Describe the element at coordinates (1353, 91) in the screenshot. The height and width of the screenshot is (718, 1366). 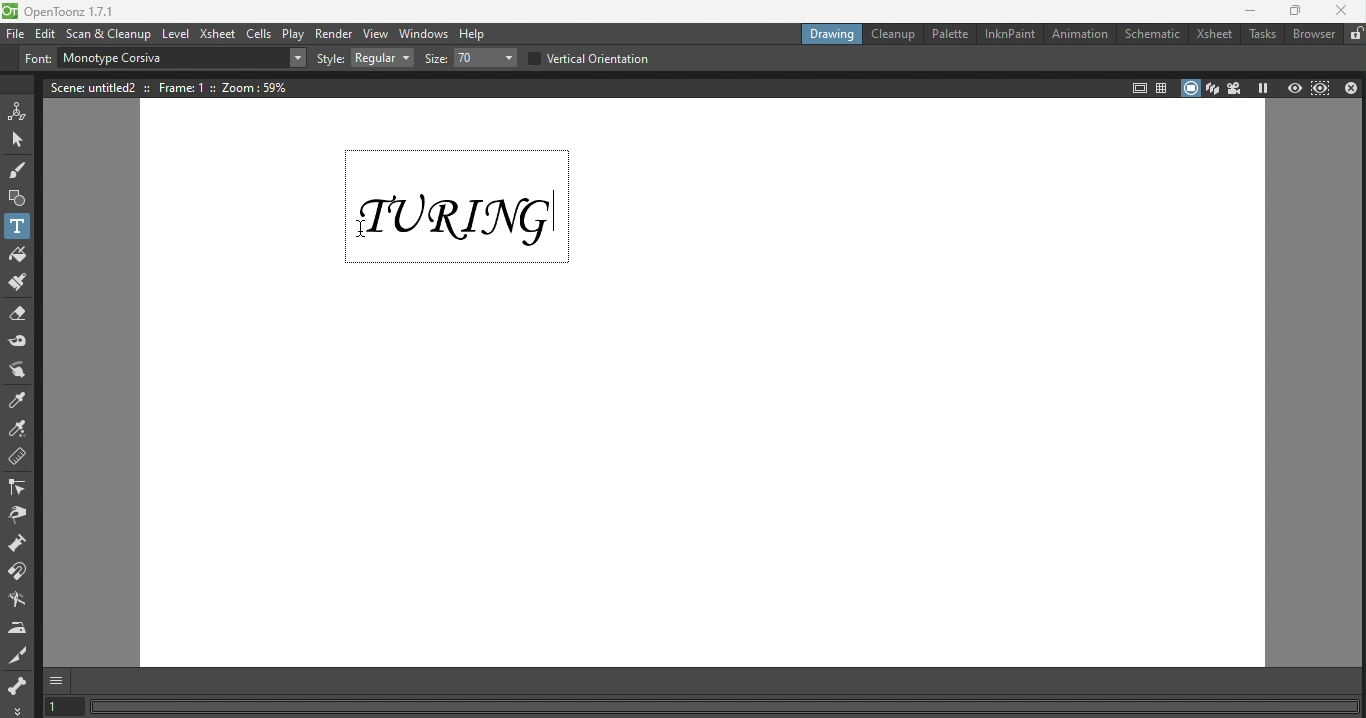
I see `Close` at that location.